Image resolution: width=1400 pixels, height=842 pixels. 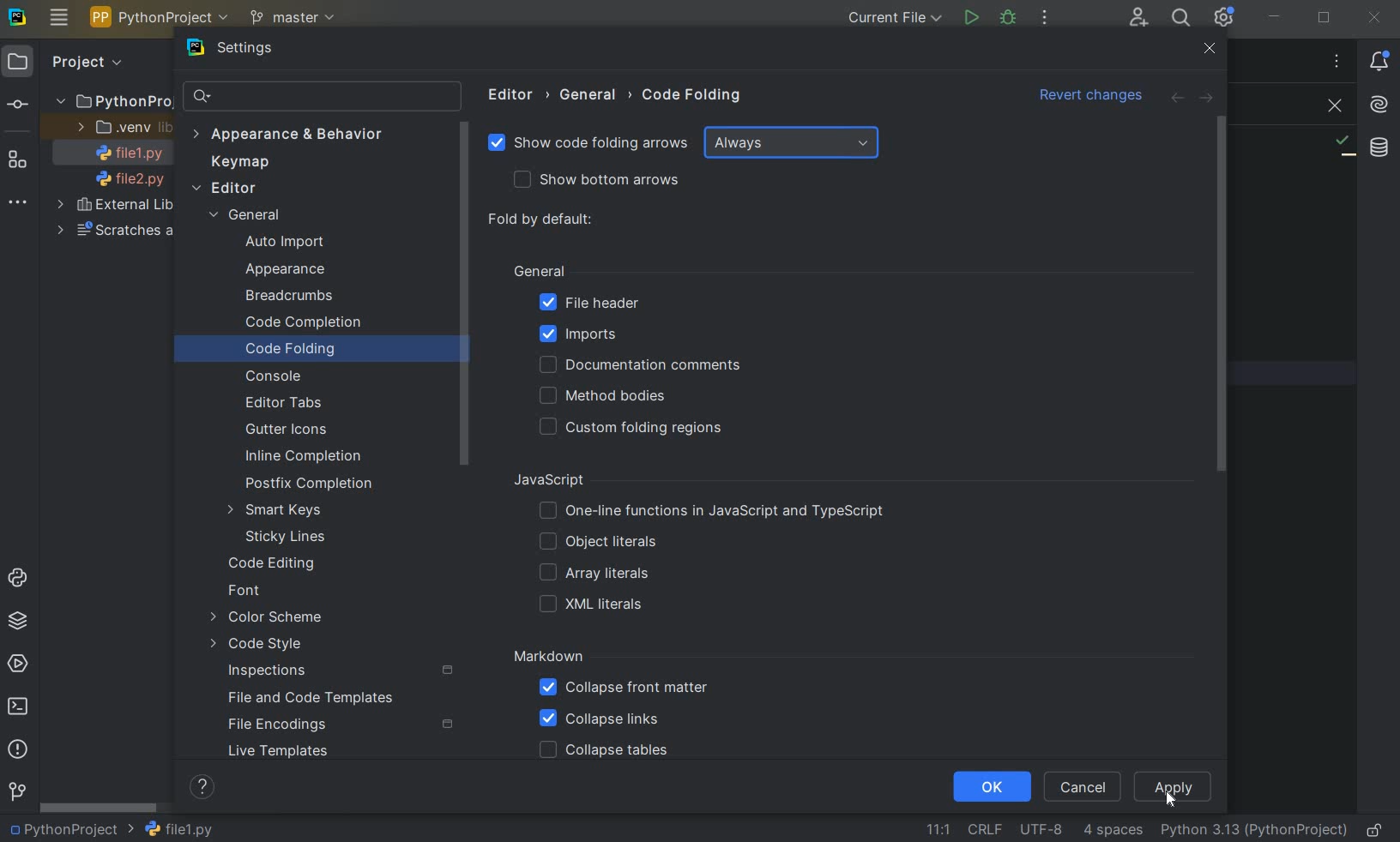 What do you see at coordinates (251, 592) in the screenshot?
I see `FONT` at bounding box center [251, 592].